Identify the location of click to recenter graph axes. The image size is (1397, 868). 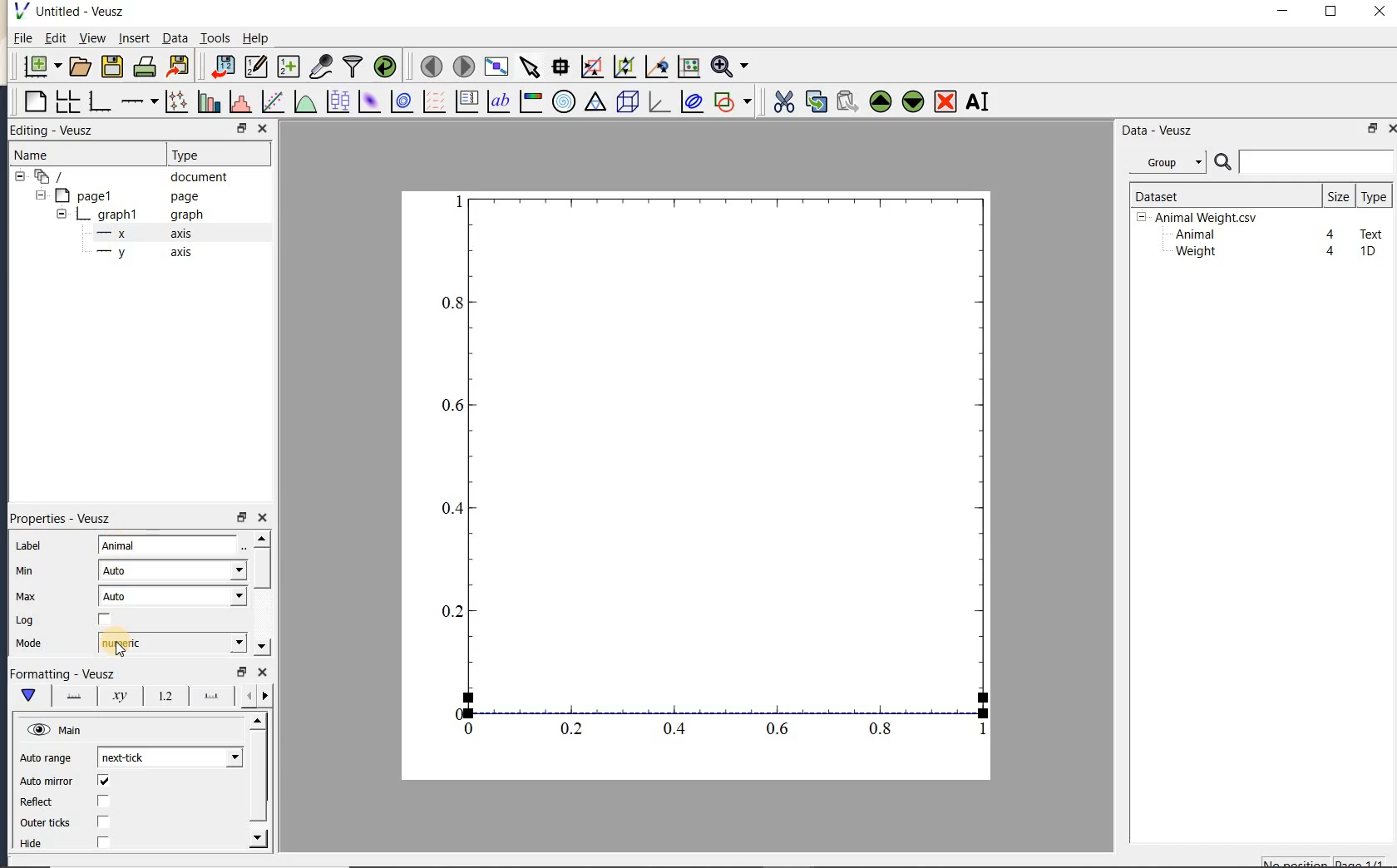
(657, 67).